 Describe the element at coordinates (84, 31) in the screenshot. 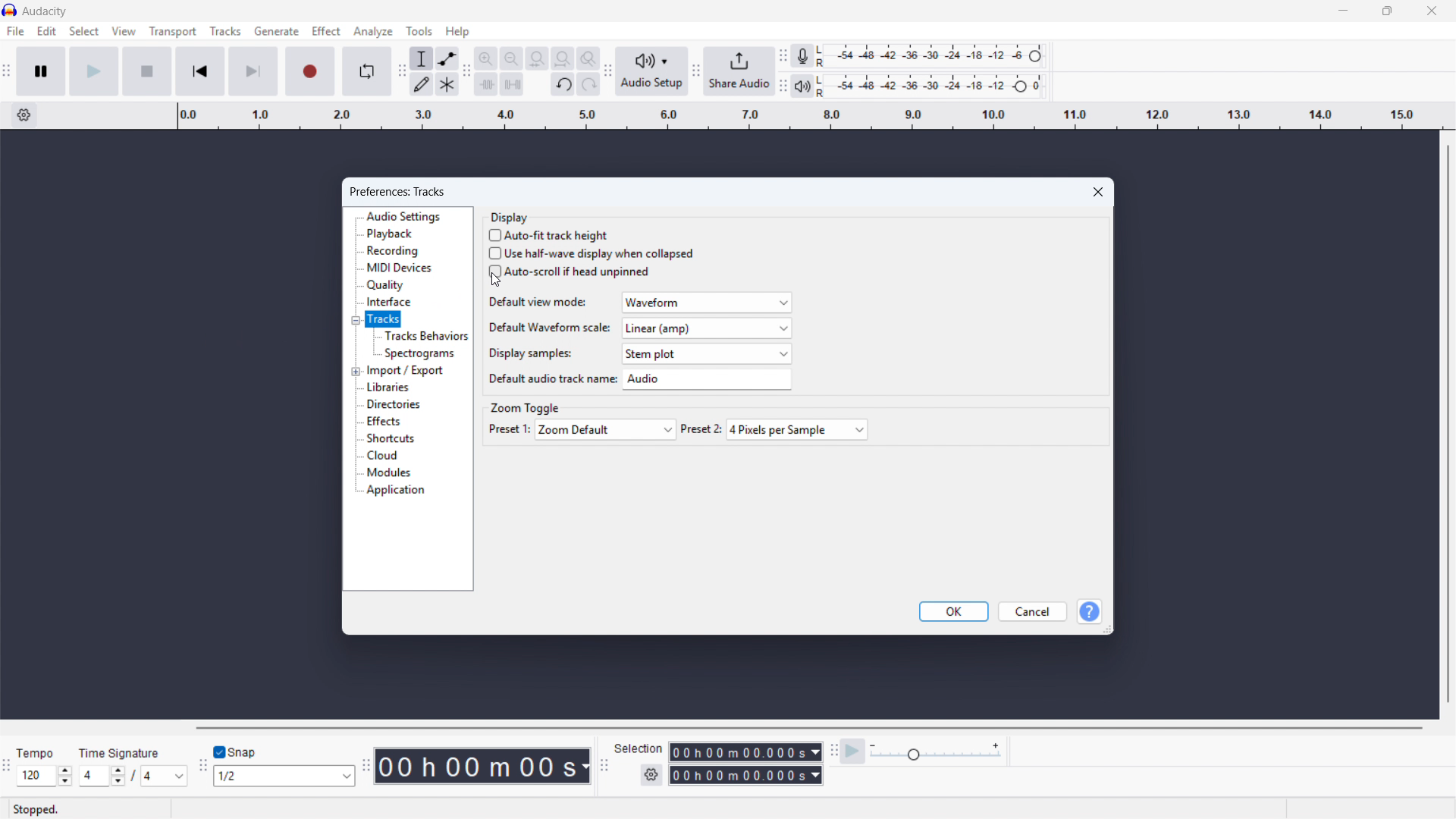

I see `select` at that location.